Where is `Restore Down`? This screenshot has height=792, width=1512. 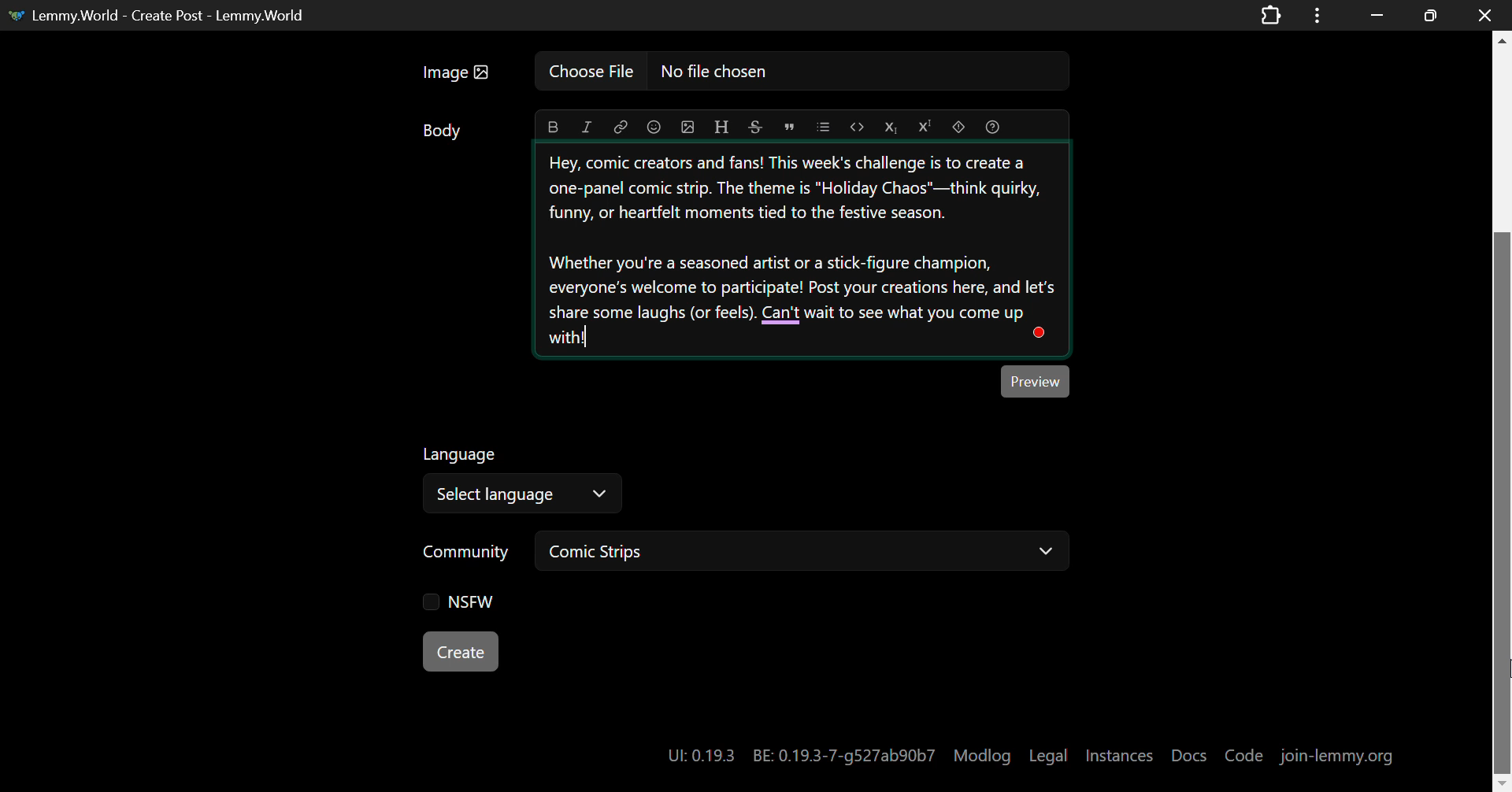 Restore Down is located at coordinates (1377, 13).